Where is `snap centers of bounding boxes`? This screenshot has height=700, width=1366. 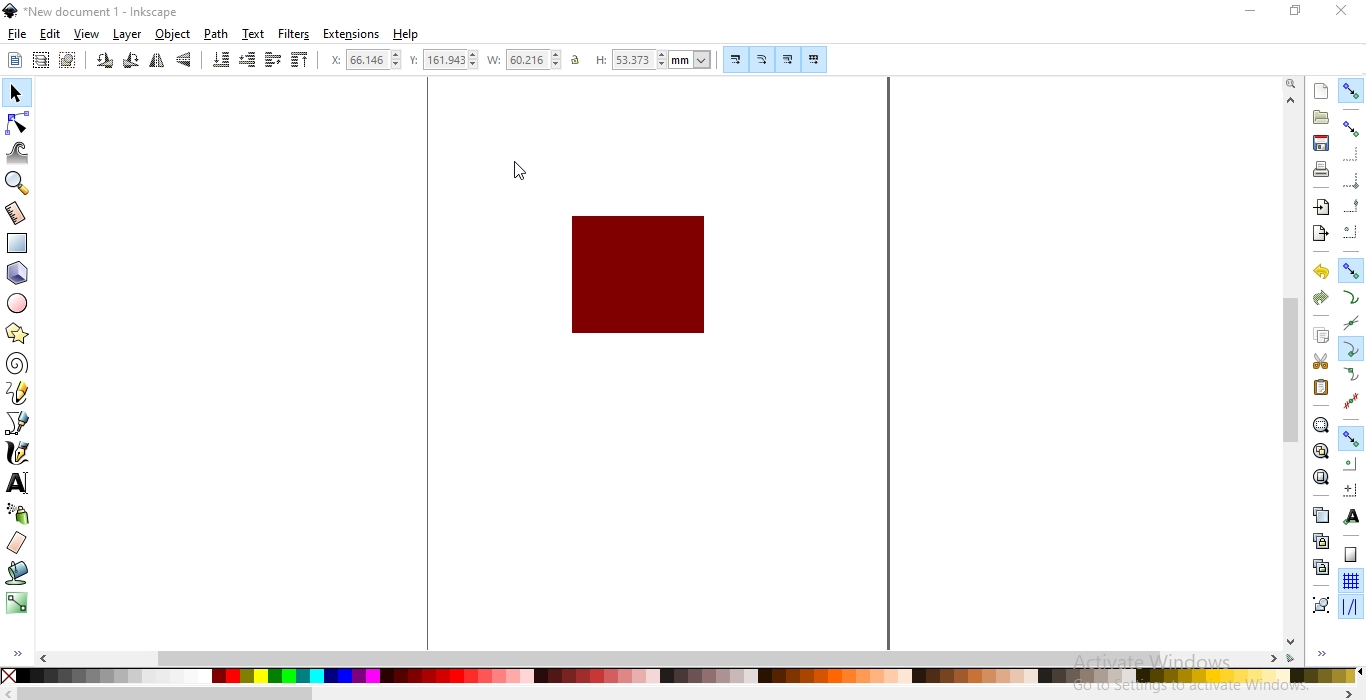
snap centers of bounding boxes is located at coordinates (1352, 231).